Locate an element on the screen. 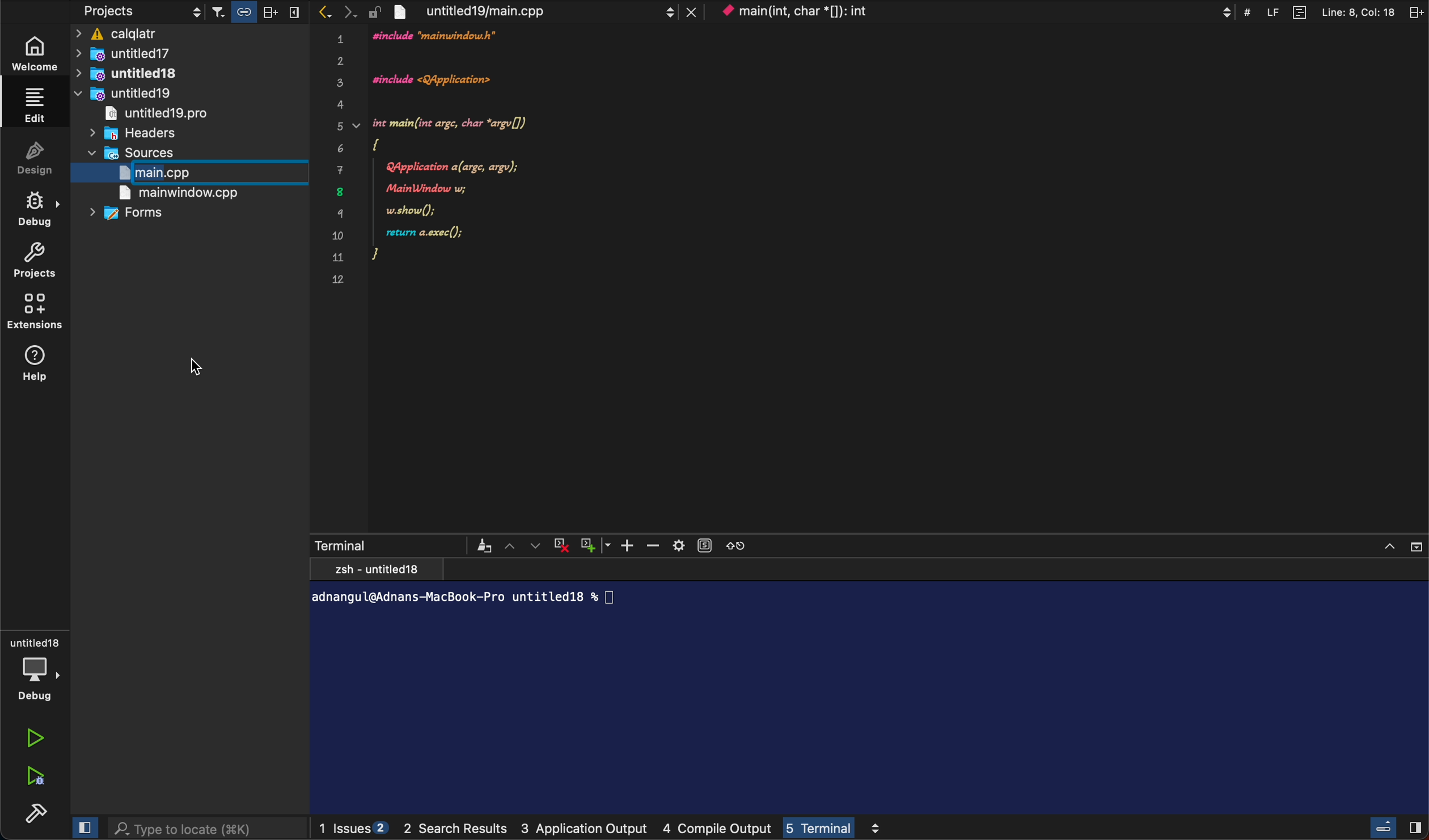 The image size is (1429, 840). untitled17 is located at coordinates (152, 53).